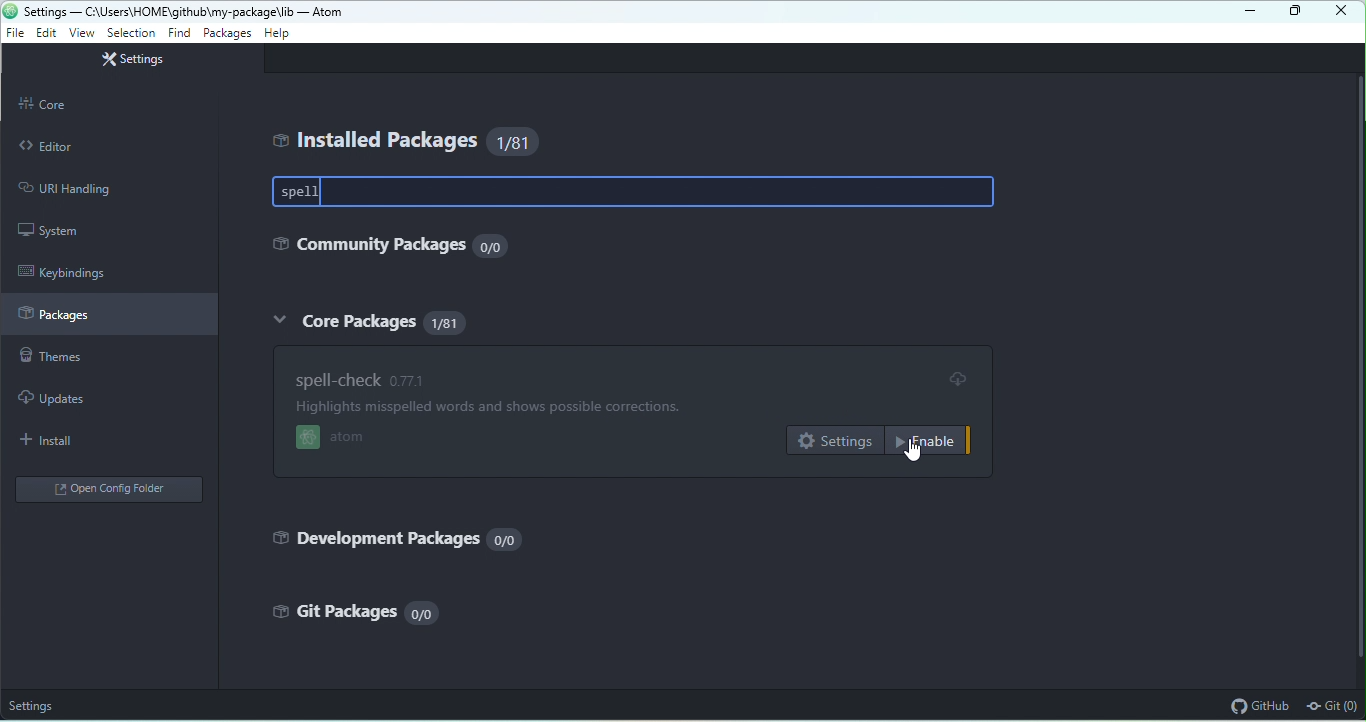 The height and width of the screenshot is (722, 1366). Describe the element at coordinates (914, 452) in the screenshot. I see `cursor movement` at that location.